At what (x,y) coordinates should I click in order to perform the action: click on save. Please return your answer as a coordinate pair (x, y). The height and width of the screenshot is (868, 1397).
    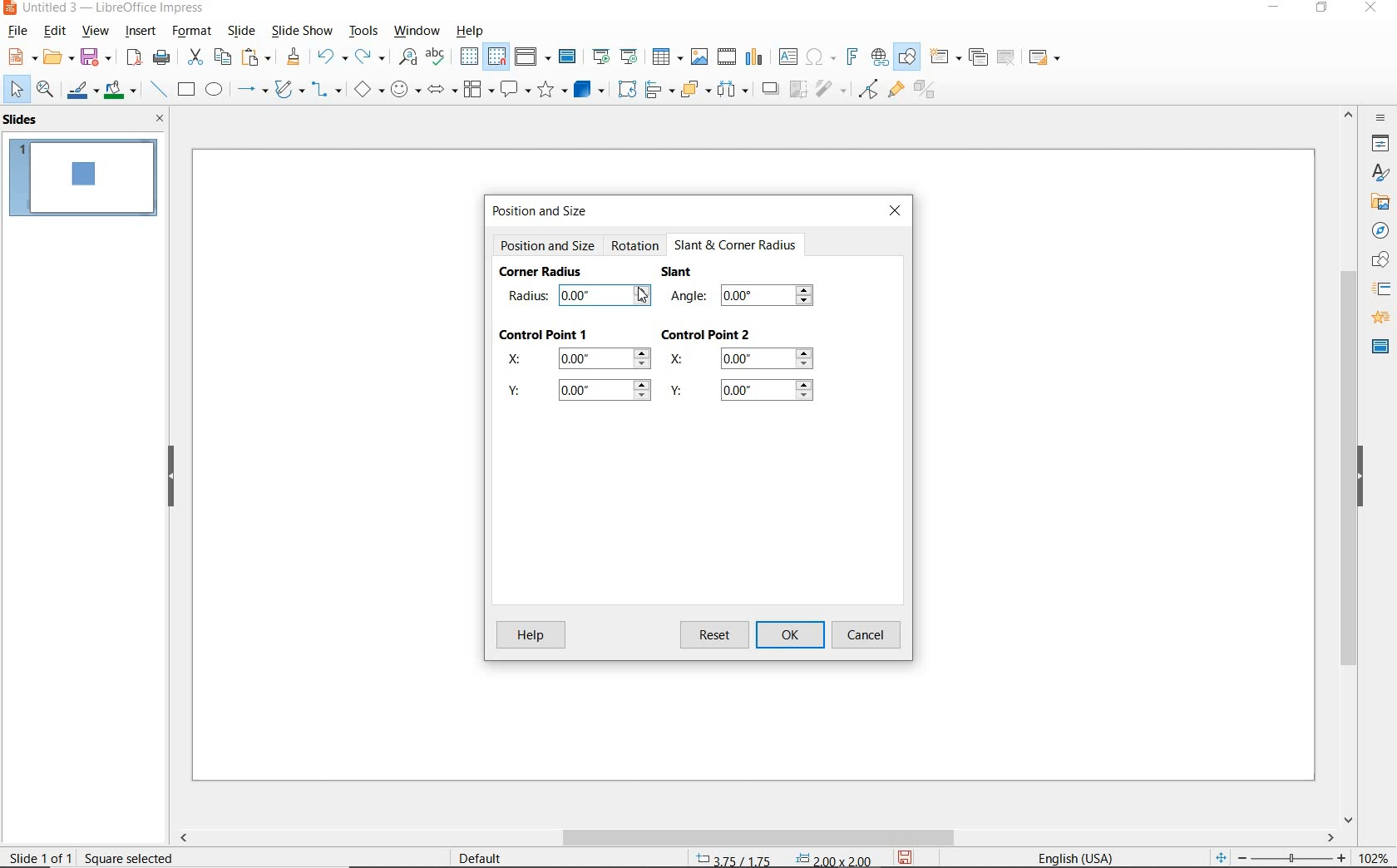
    Looking at the image, I should click on (905, 858).